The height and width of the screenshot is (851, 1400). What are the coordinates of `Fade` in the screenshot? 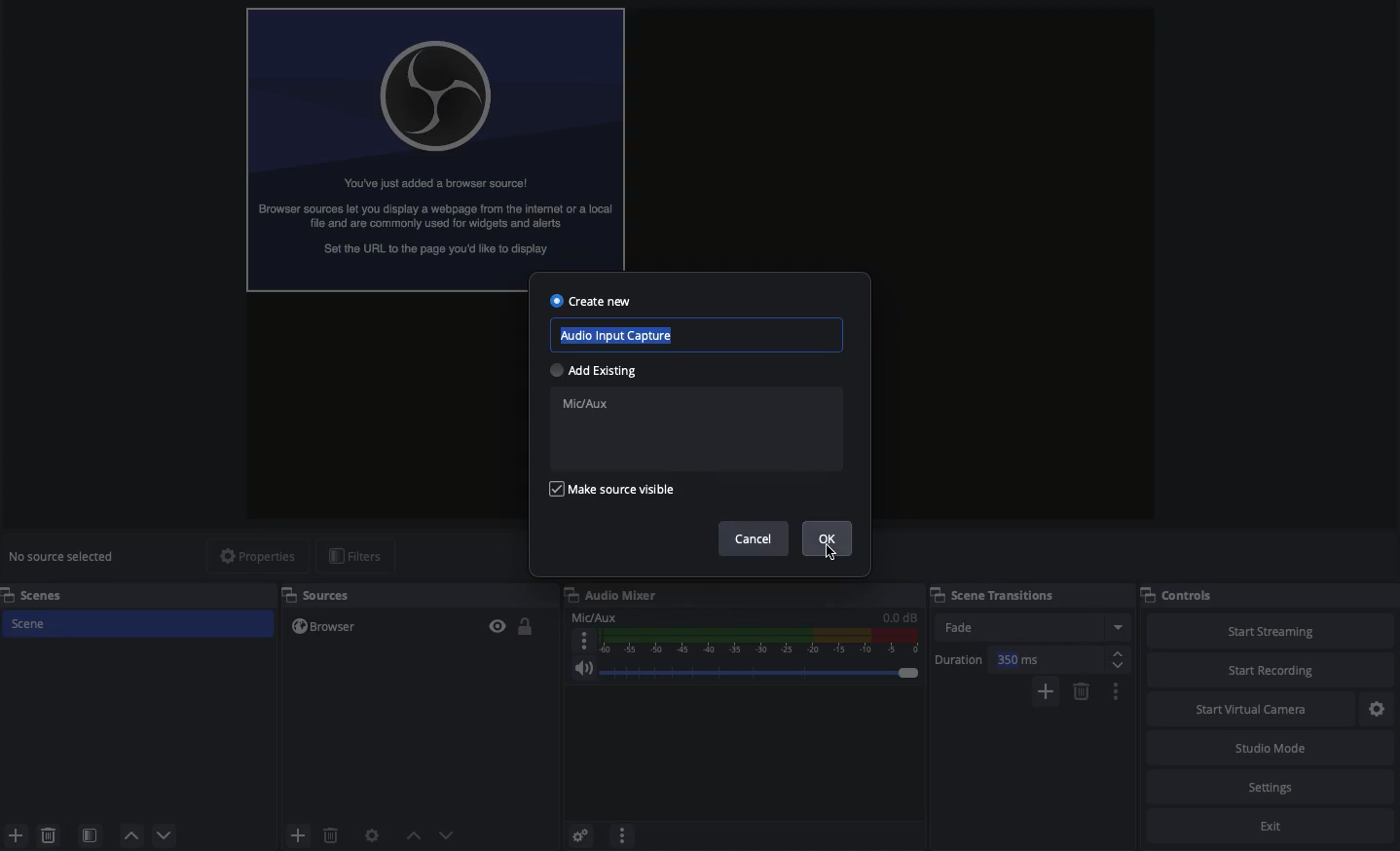 It's located at (1031, 626).